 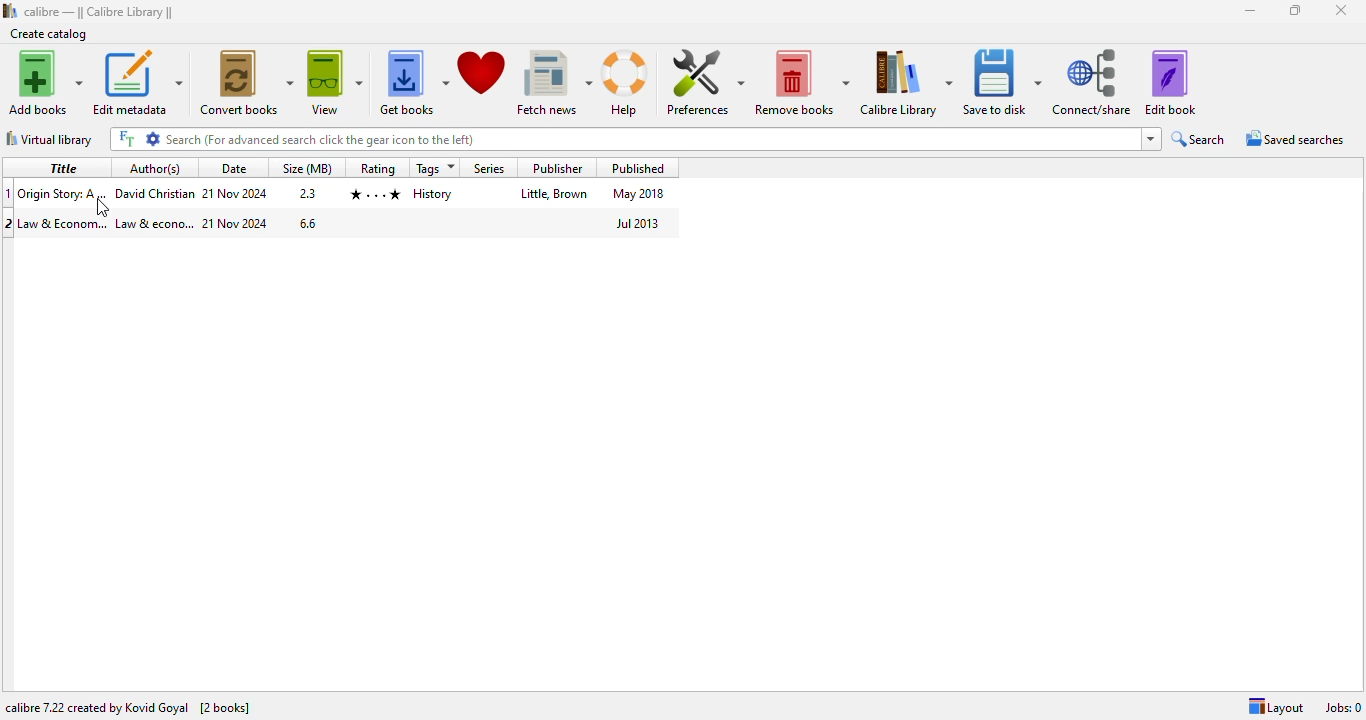 I want to click on jobs: 0, so click(x=1344, y=708).